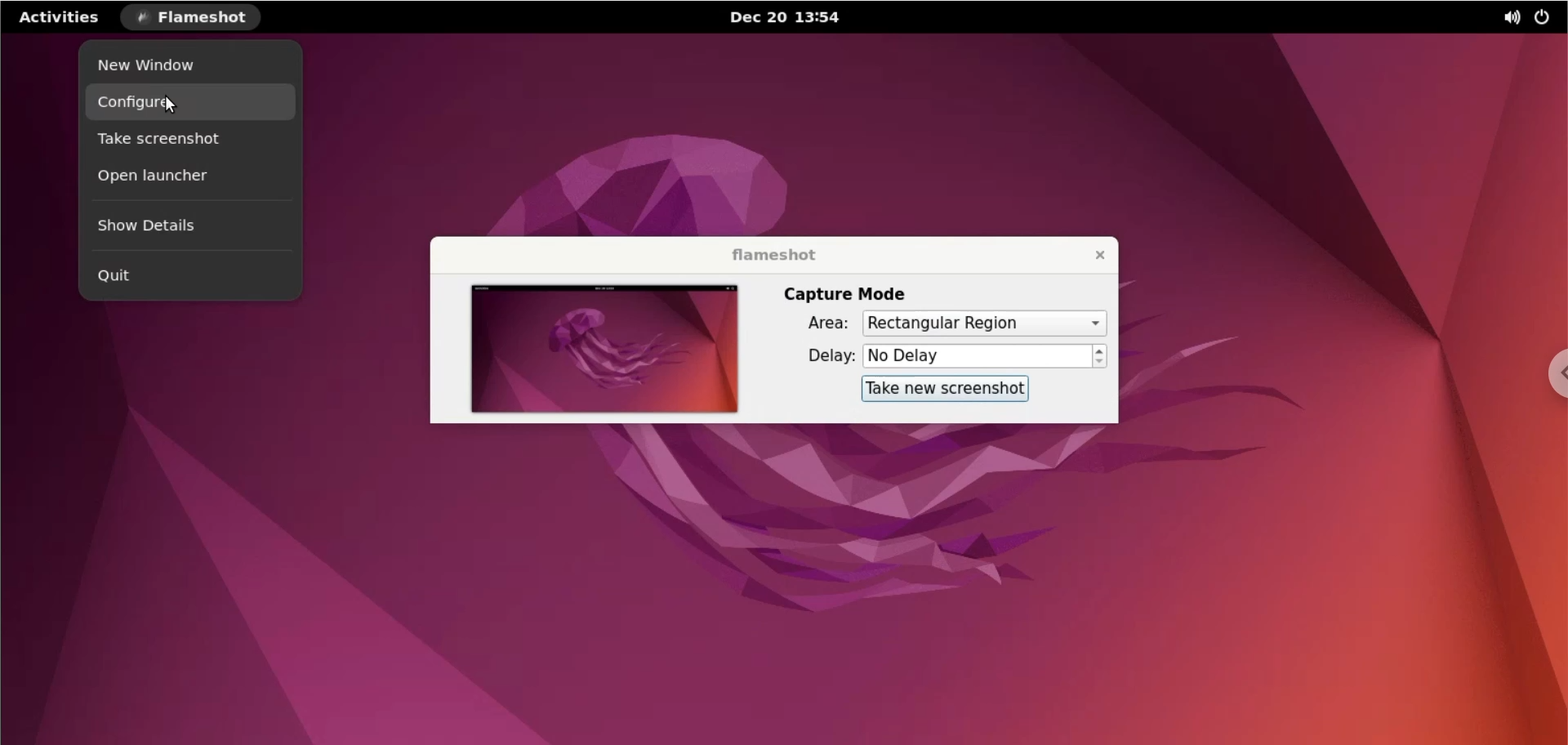 This screenshot has height=745, width=1568. What do you see at coordinates (61, 16) in the screenshot?
I see `activities` at bounding box center [61, 16].